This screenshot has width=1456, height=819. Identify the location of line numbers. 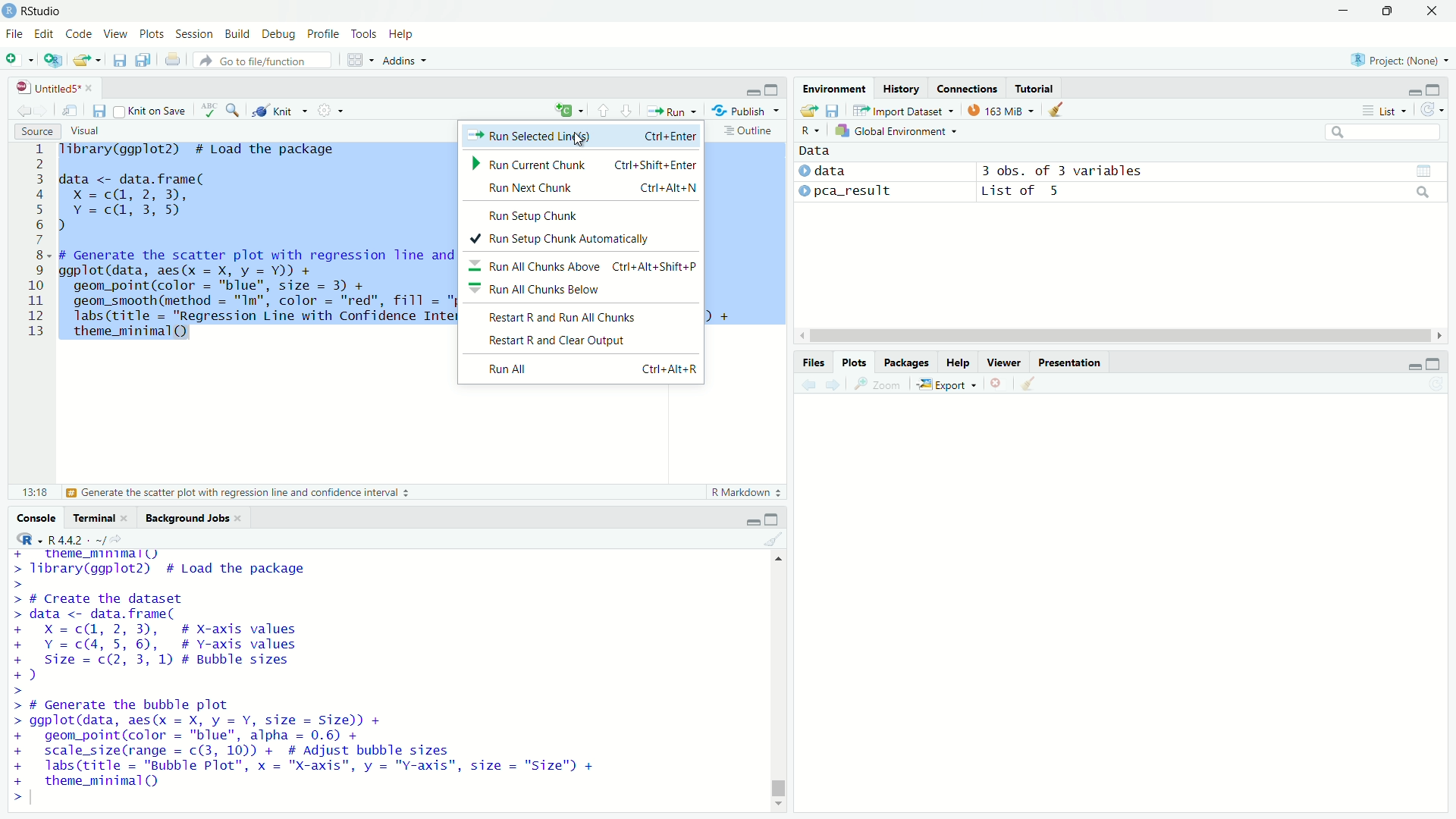
(34, 242).